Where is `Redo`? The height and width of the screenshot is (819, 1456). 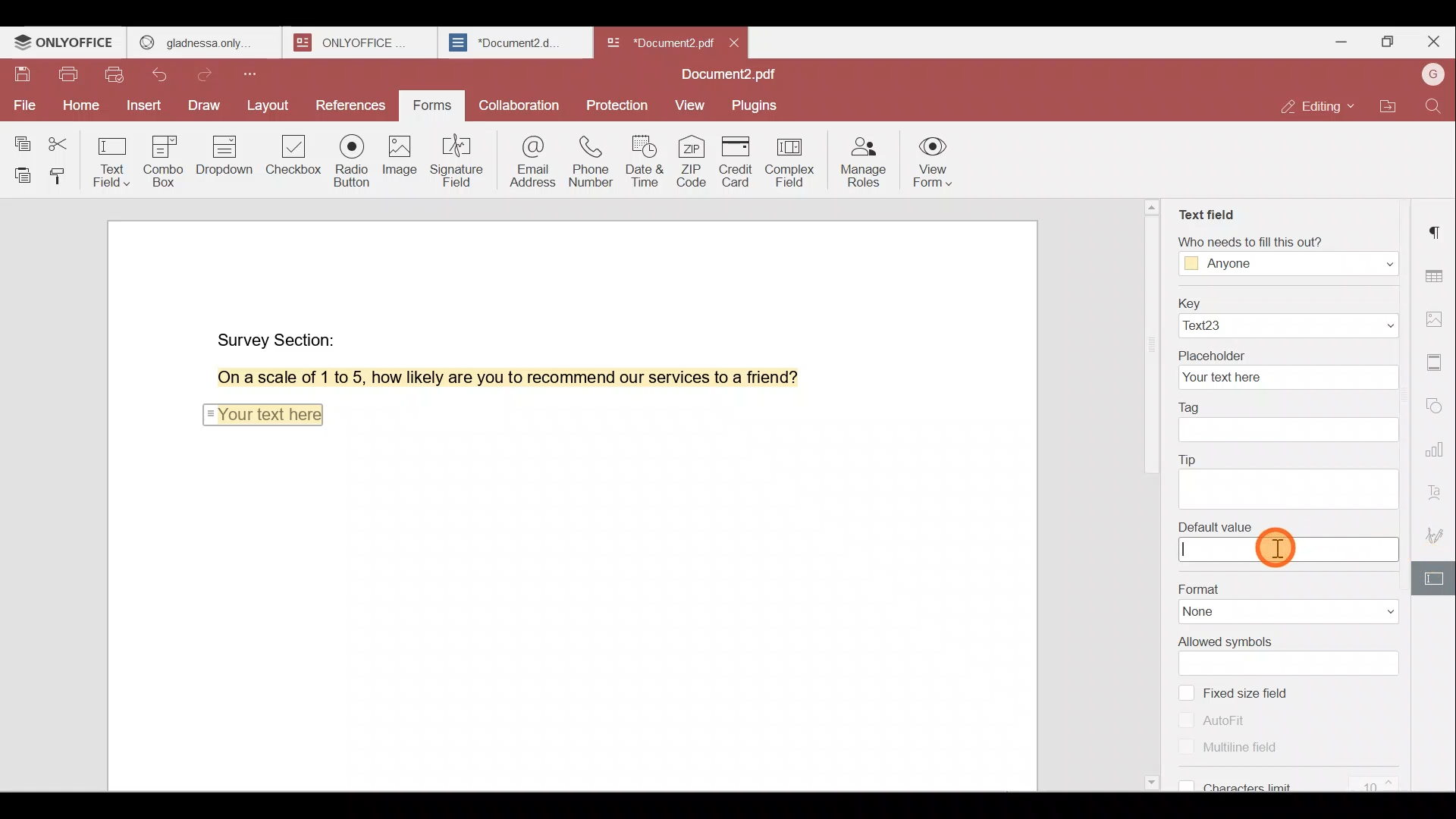 Redo is located at coordinates (209, 75).